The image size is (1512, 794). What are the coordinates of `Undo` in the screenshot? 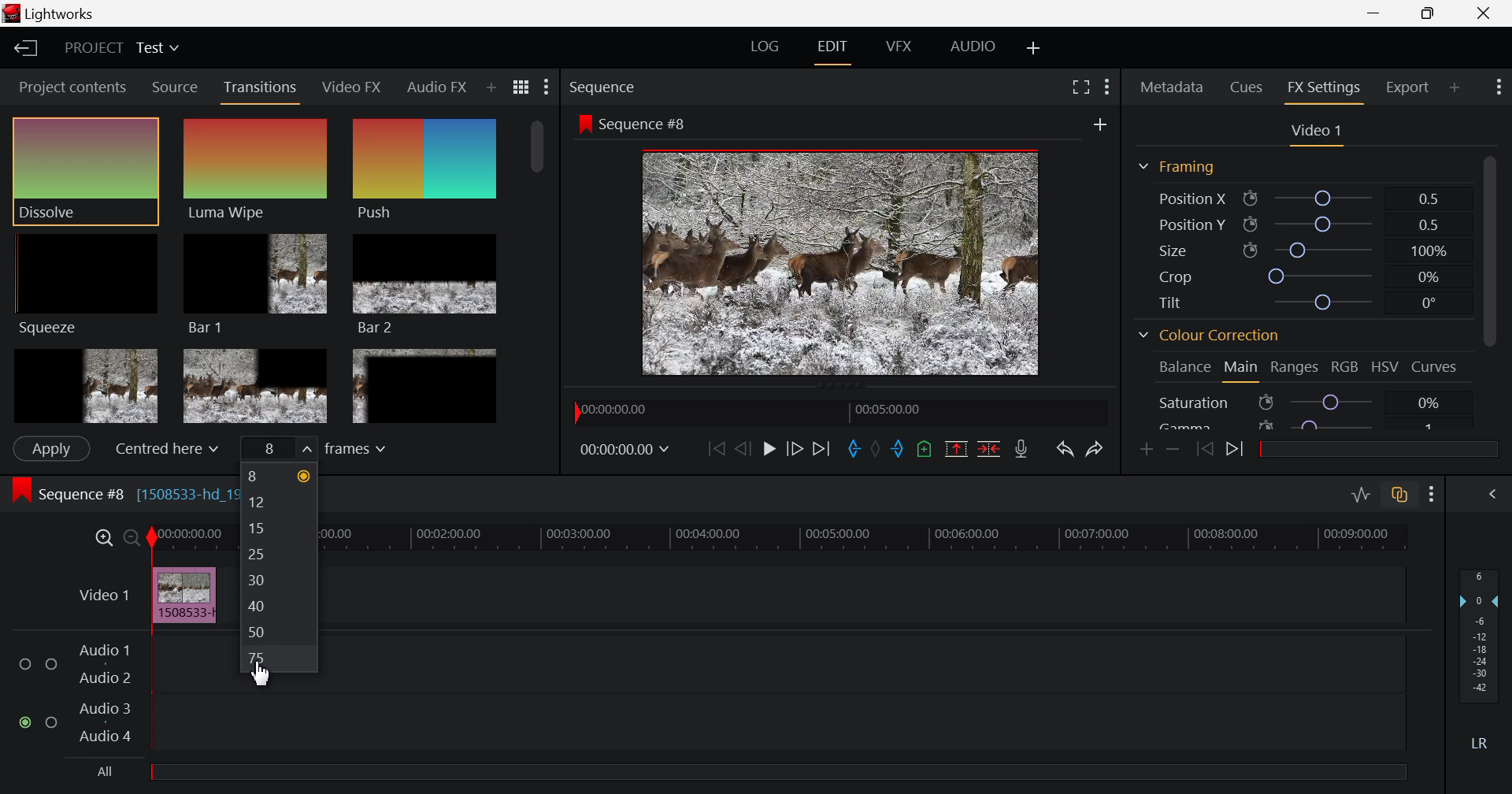 It's located at (1064, 449).